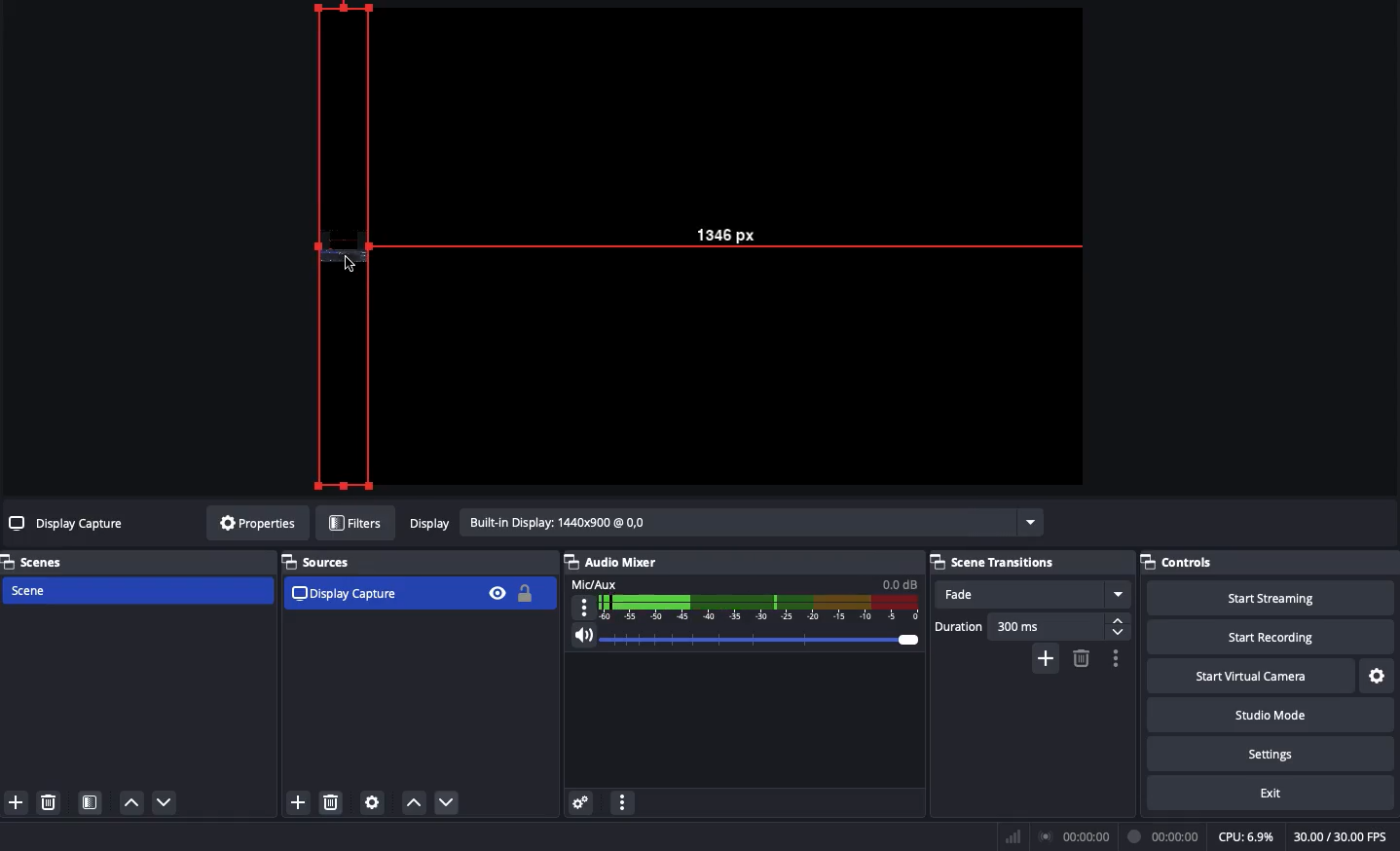  I want to click on Locked, so click(523, 593).